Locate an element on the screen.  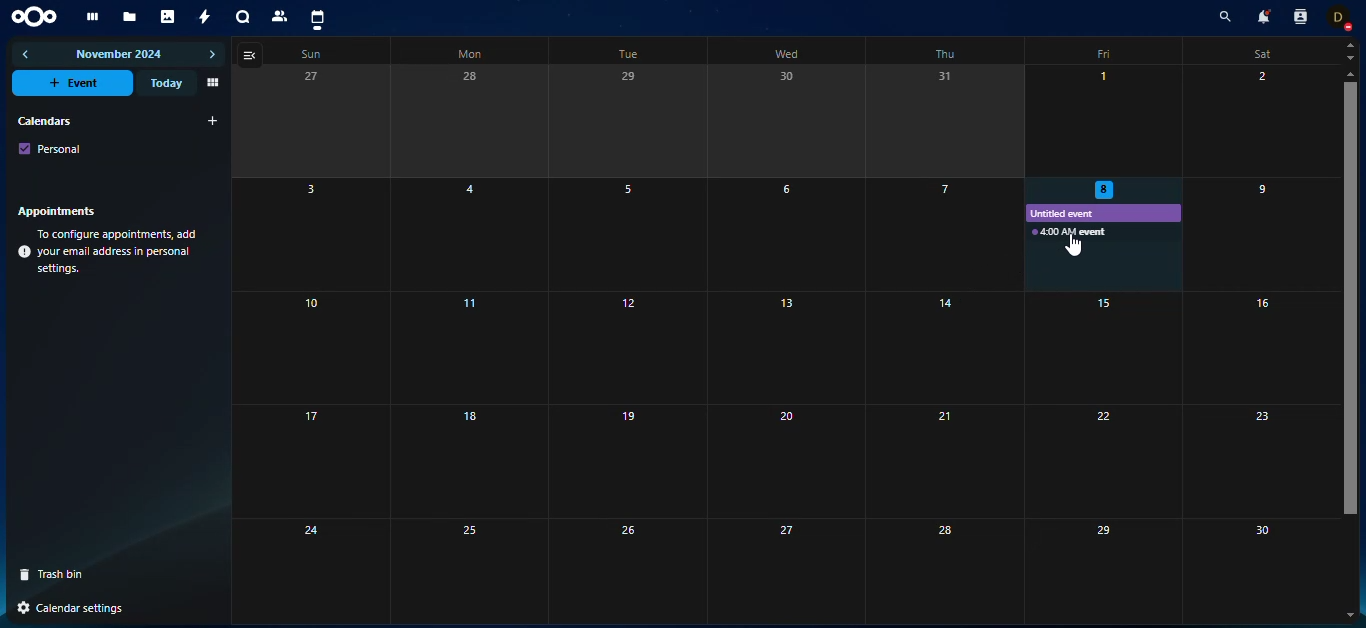
view is located at coordinates (211, 83).